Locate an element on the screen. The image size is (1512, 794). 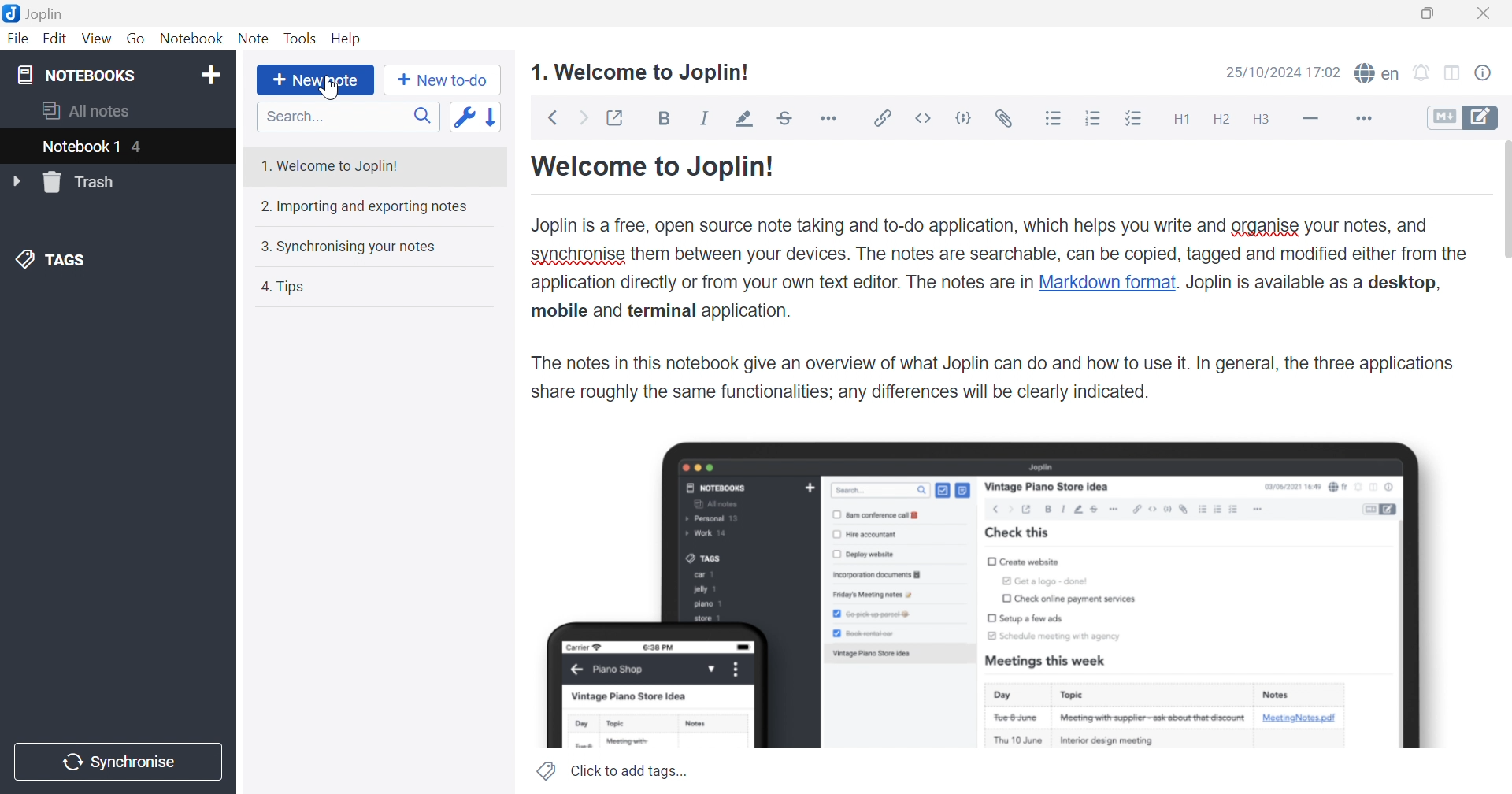
Reverse sort order is located at coordinates (495, 114).